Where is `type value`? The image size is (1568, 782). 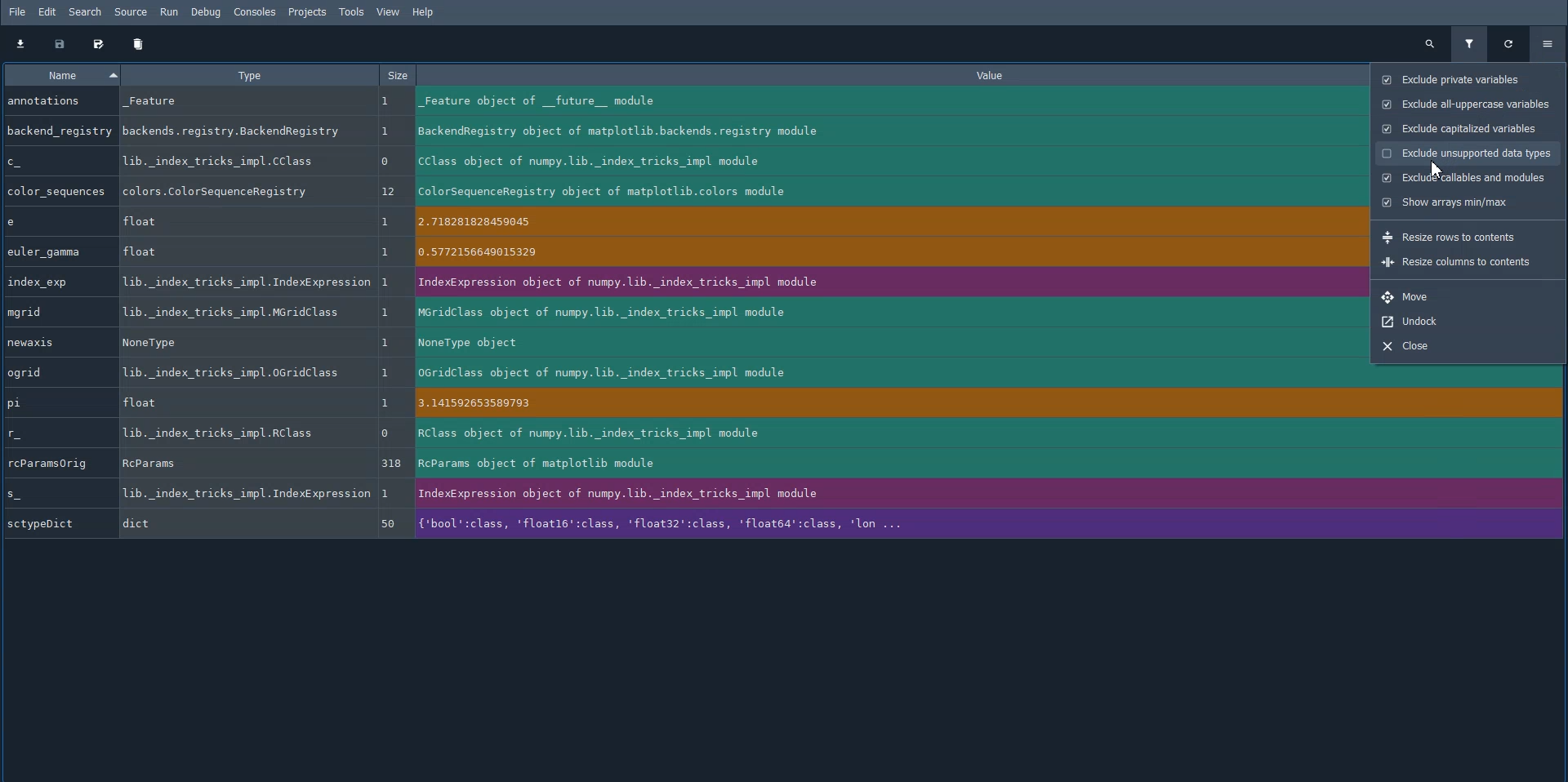 type value is located at coordinates (219, 433).